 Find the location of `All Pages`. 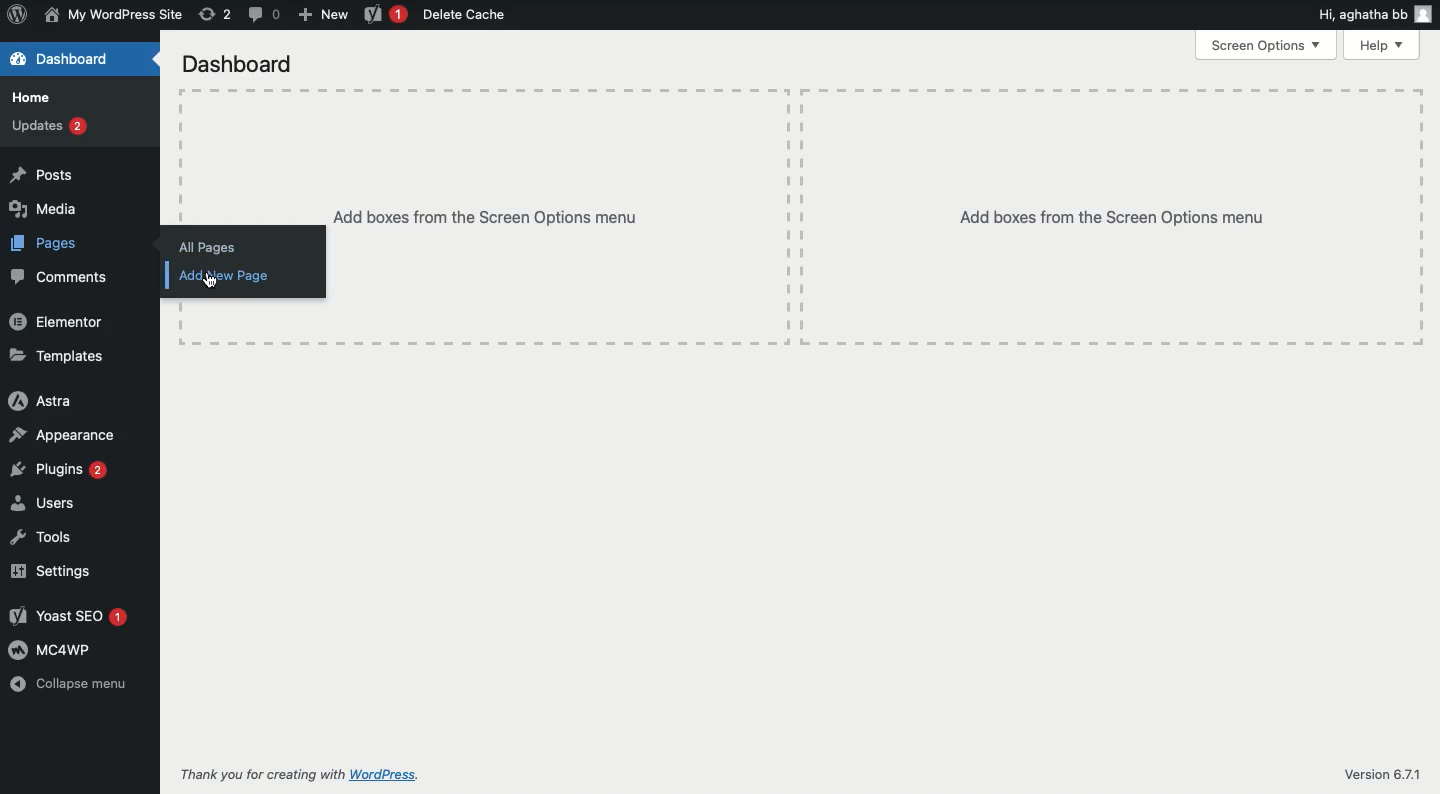

All Pages is located at coordinates (216, 244).